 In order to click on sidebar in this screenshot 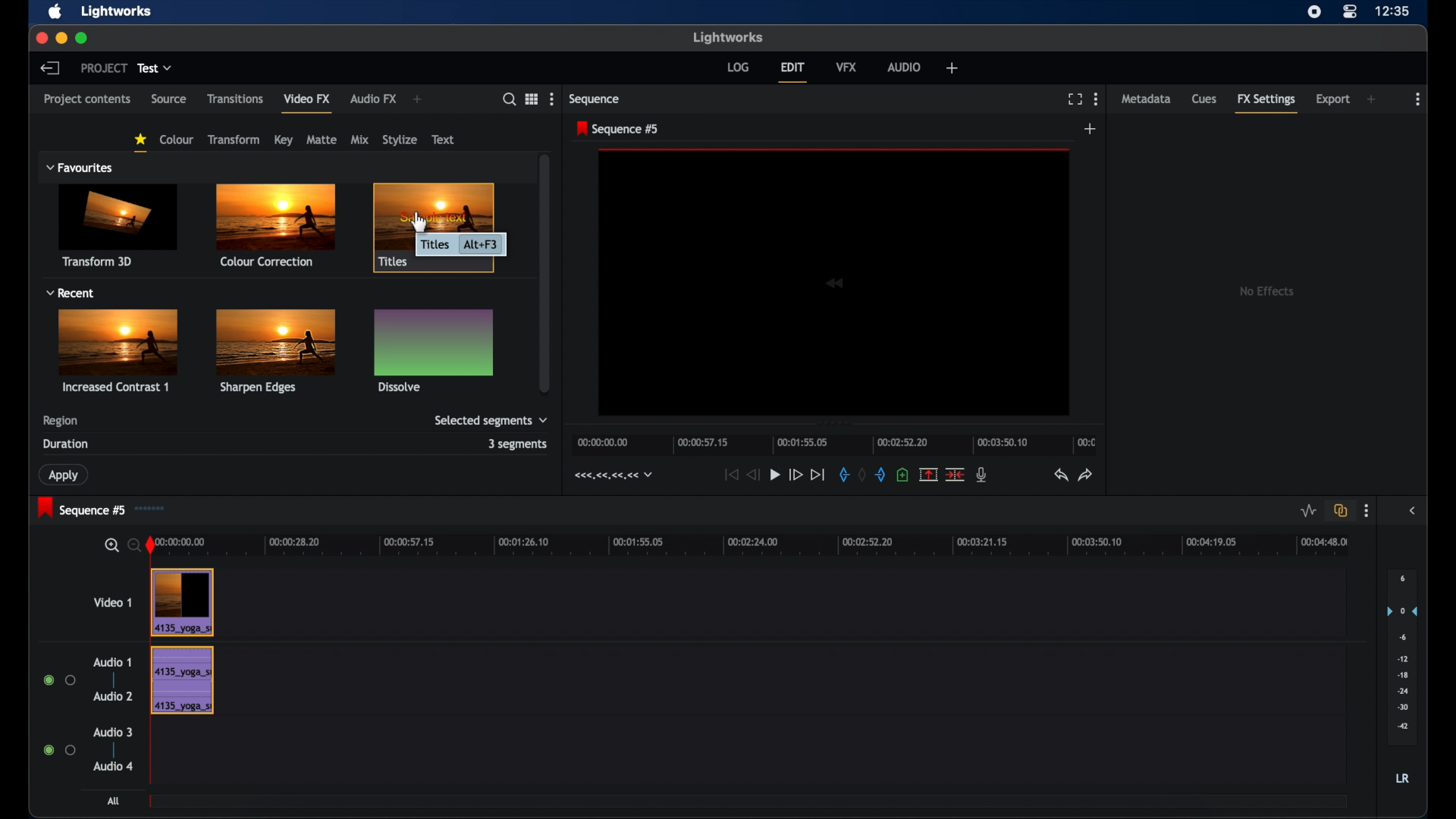, I will do `click(1411, 510)`.